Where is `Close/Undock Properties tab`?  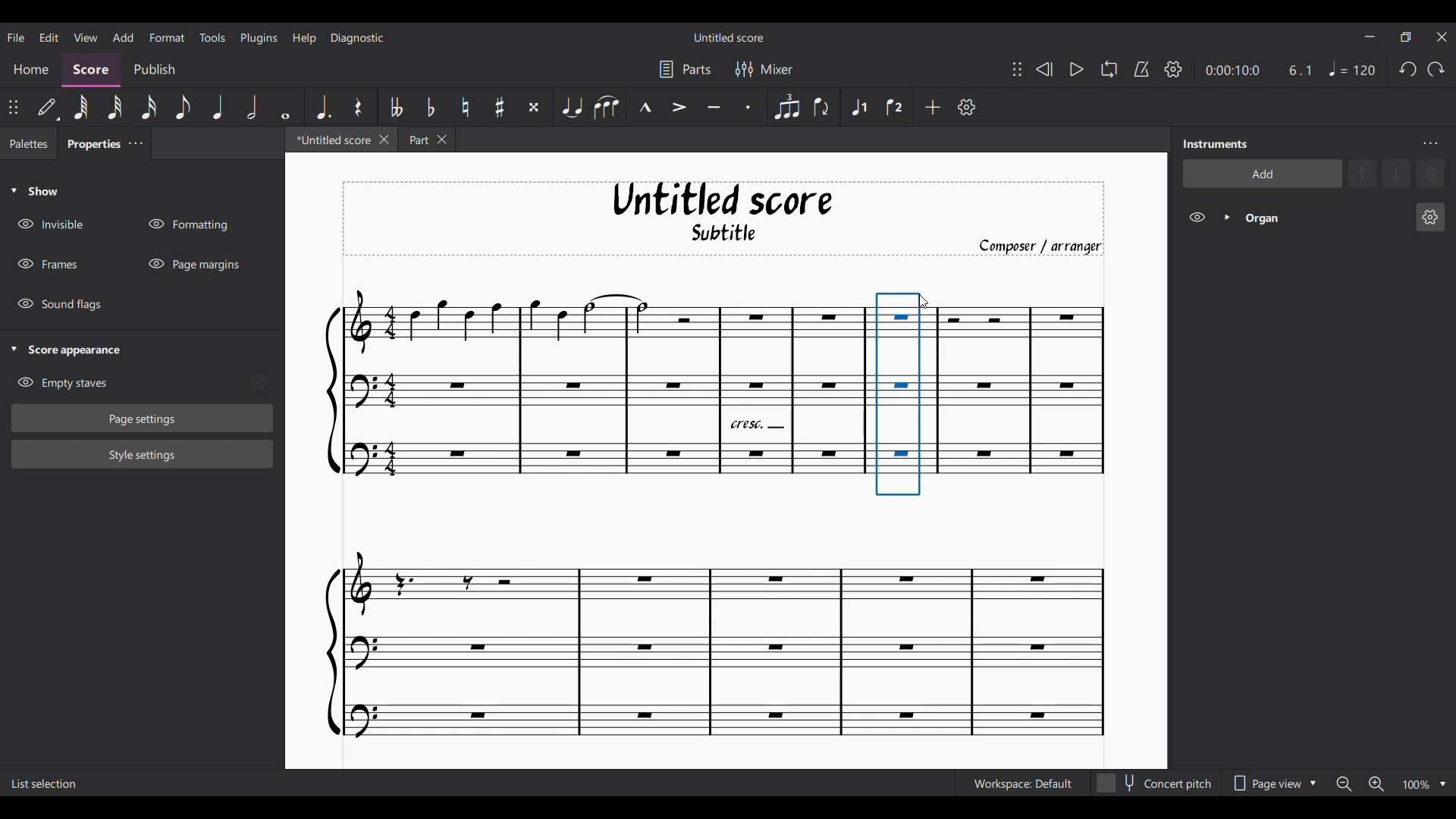
Close/Undock Properties tab is located at coordinates (135, 143).